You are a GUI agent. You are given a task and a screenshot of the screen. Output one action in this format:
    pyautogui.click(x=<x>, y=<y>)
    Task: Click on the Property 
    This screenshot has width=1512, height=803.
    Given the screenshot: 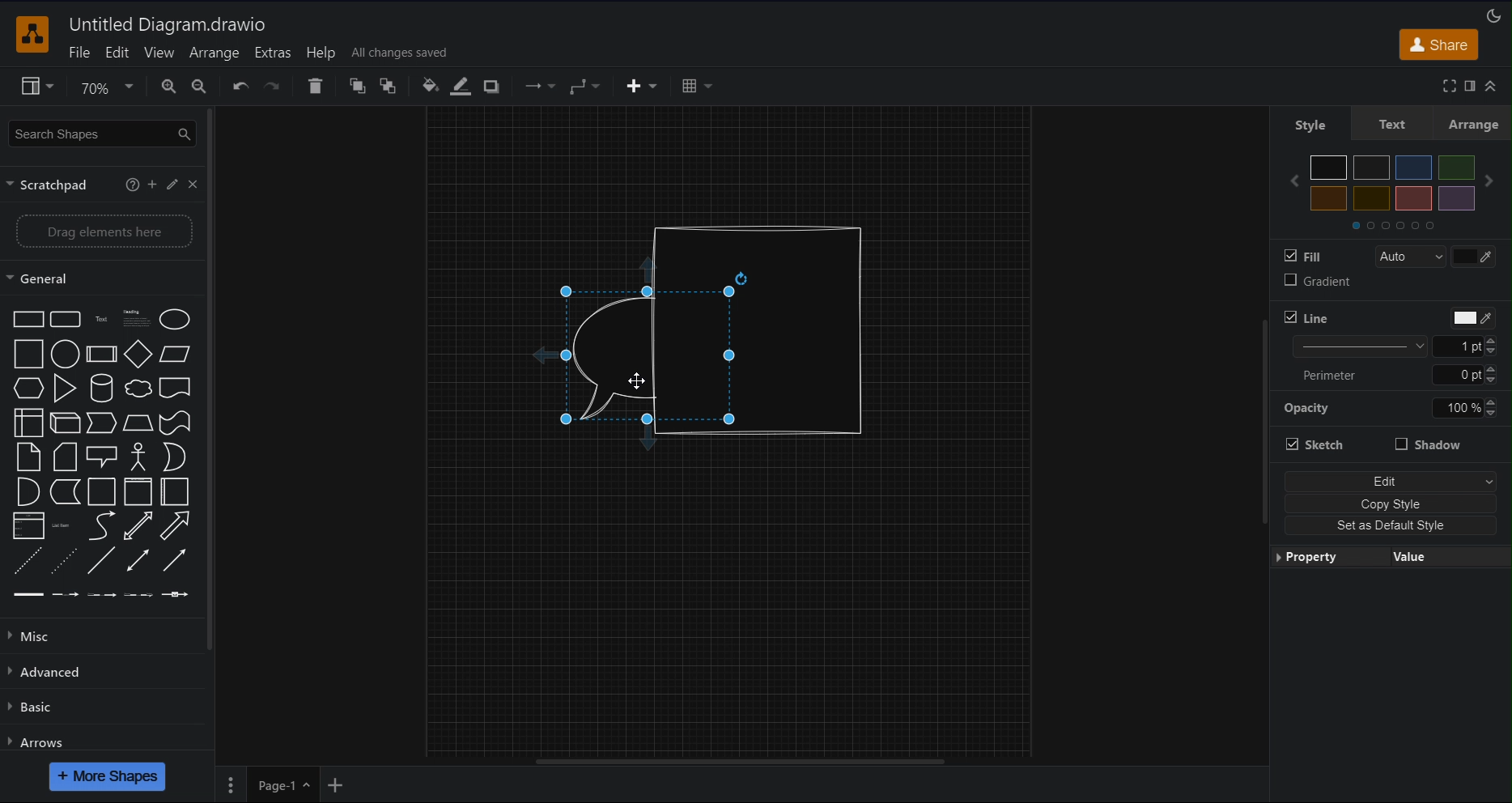 What is the action you would take?
    pyautogui.click(x=1331, y=557)
    